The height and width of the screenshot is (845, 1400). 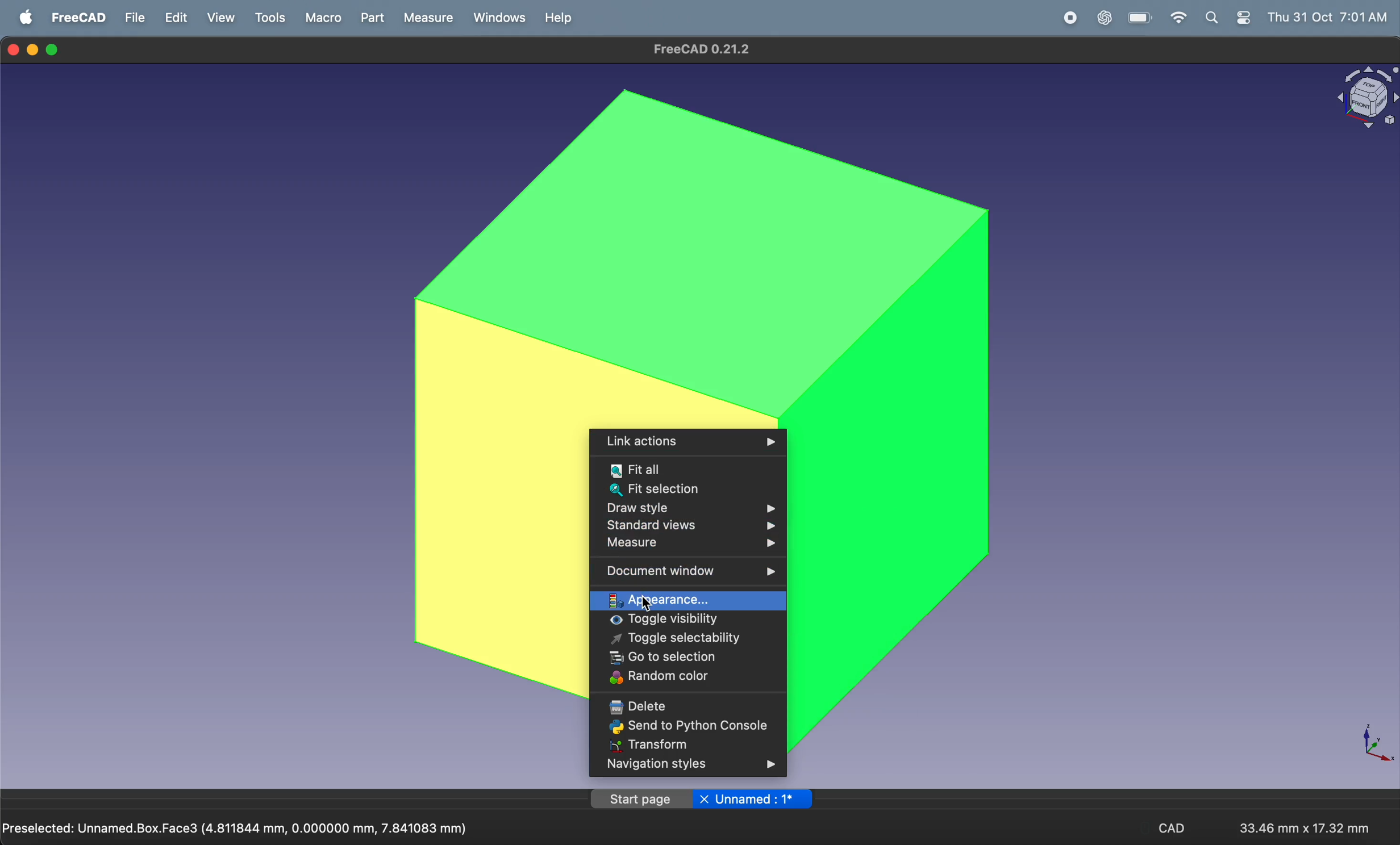 I want to click on measure, so click(x=427, y=19).